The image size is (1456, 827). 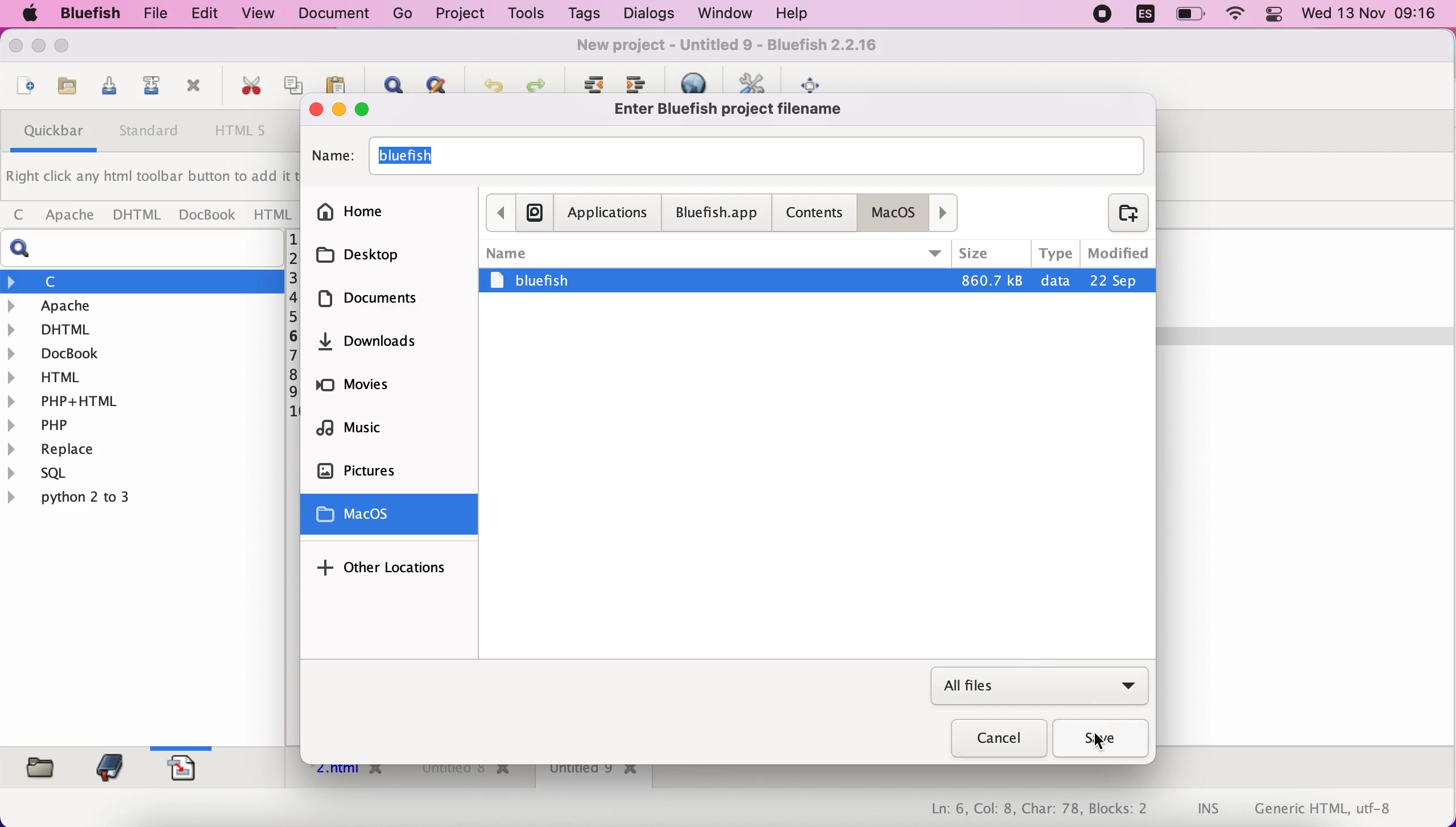 What do you see at coordinates (150, 14) in the screenshot?
I see `file` at bounding box center [150, 14].